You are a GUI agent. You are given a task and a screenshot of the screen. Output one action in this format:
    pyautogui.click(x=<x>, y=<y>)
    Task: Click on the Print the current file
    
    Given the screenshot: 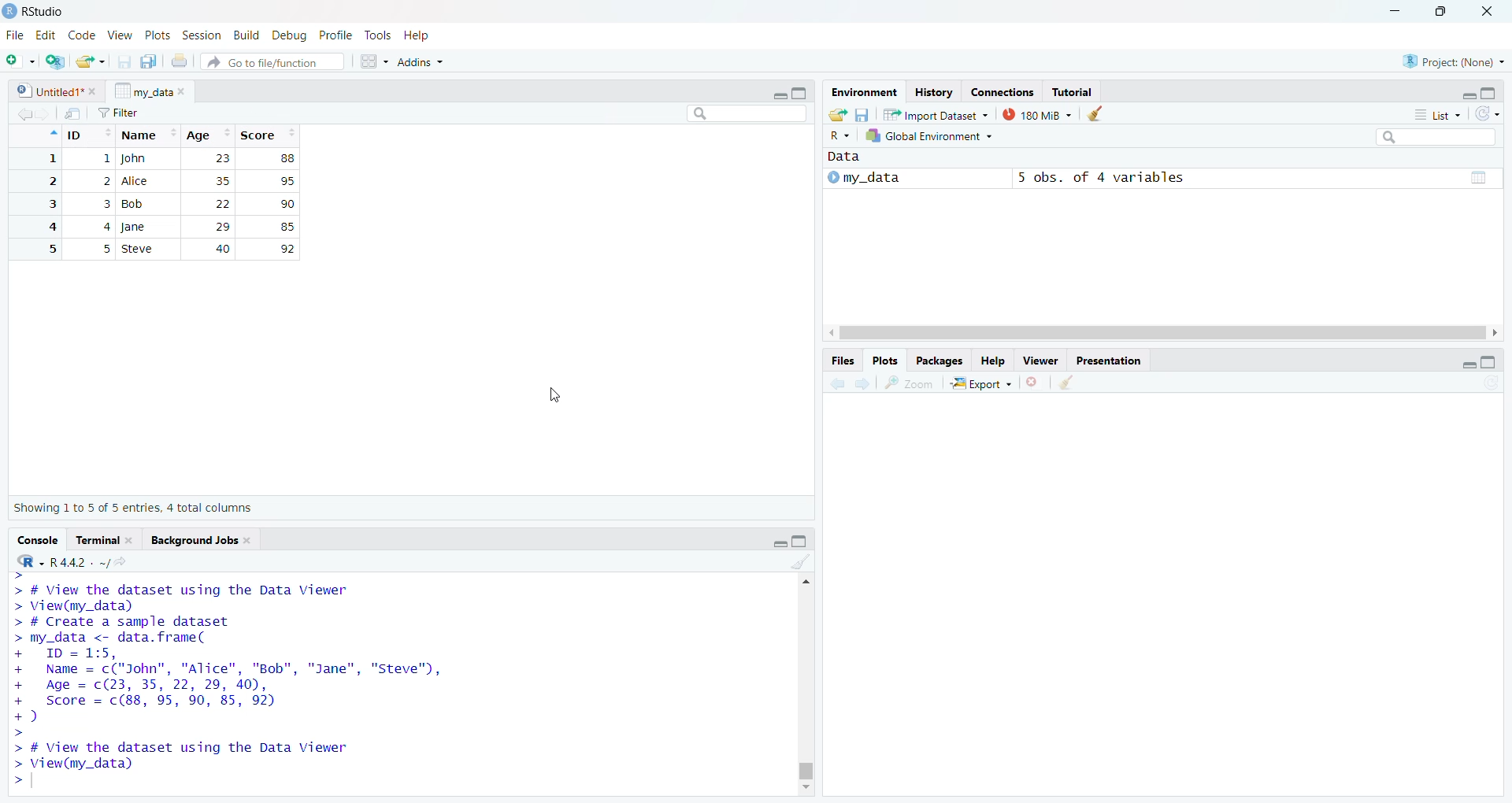 What is the action you would take?
    pyautogui.click(x=176, y=61)
    